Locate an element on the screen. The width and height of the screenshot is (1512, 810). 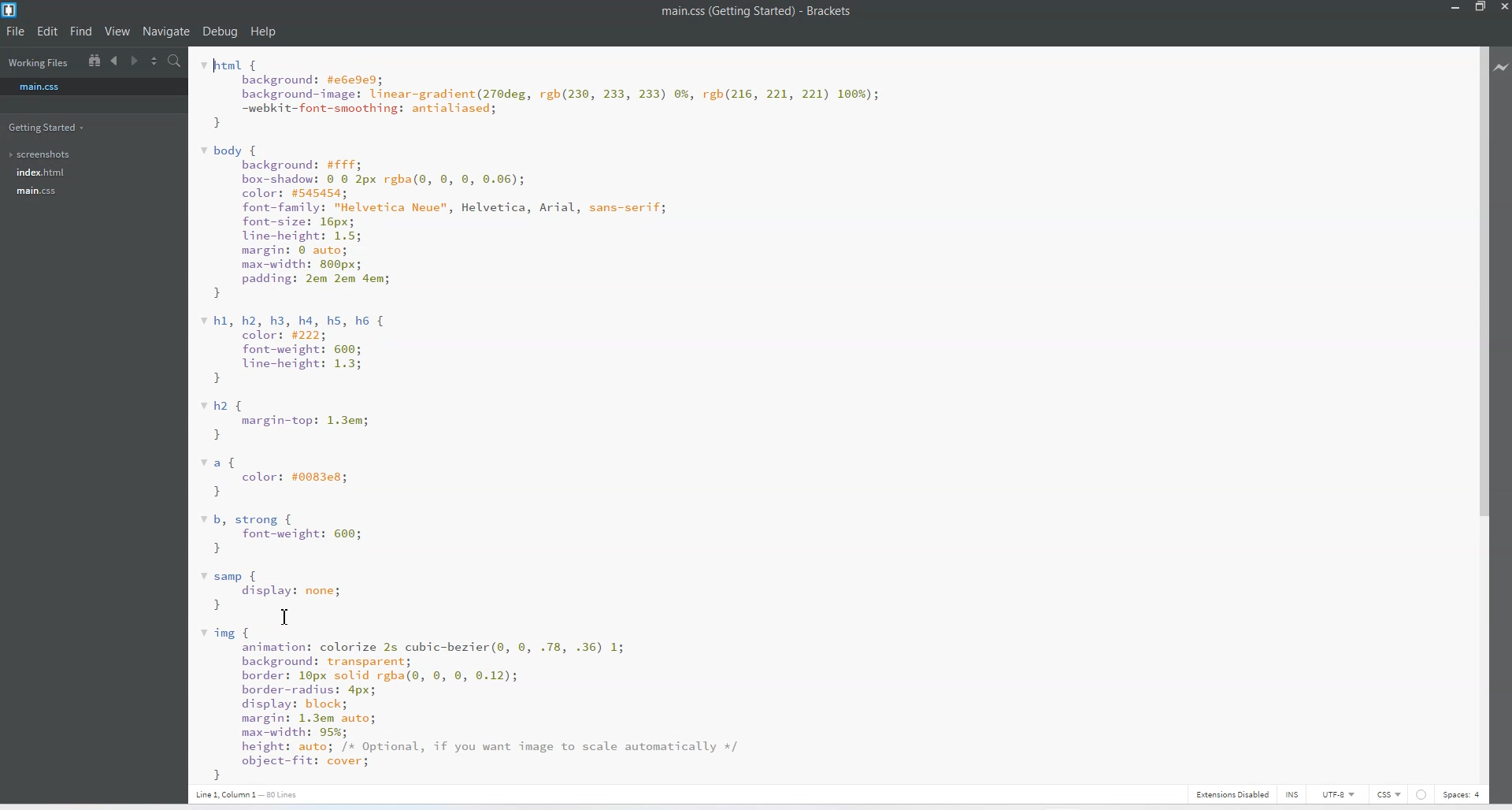
Extensions Disabled is located at coordinates (1230, 793).